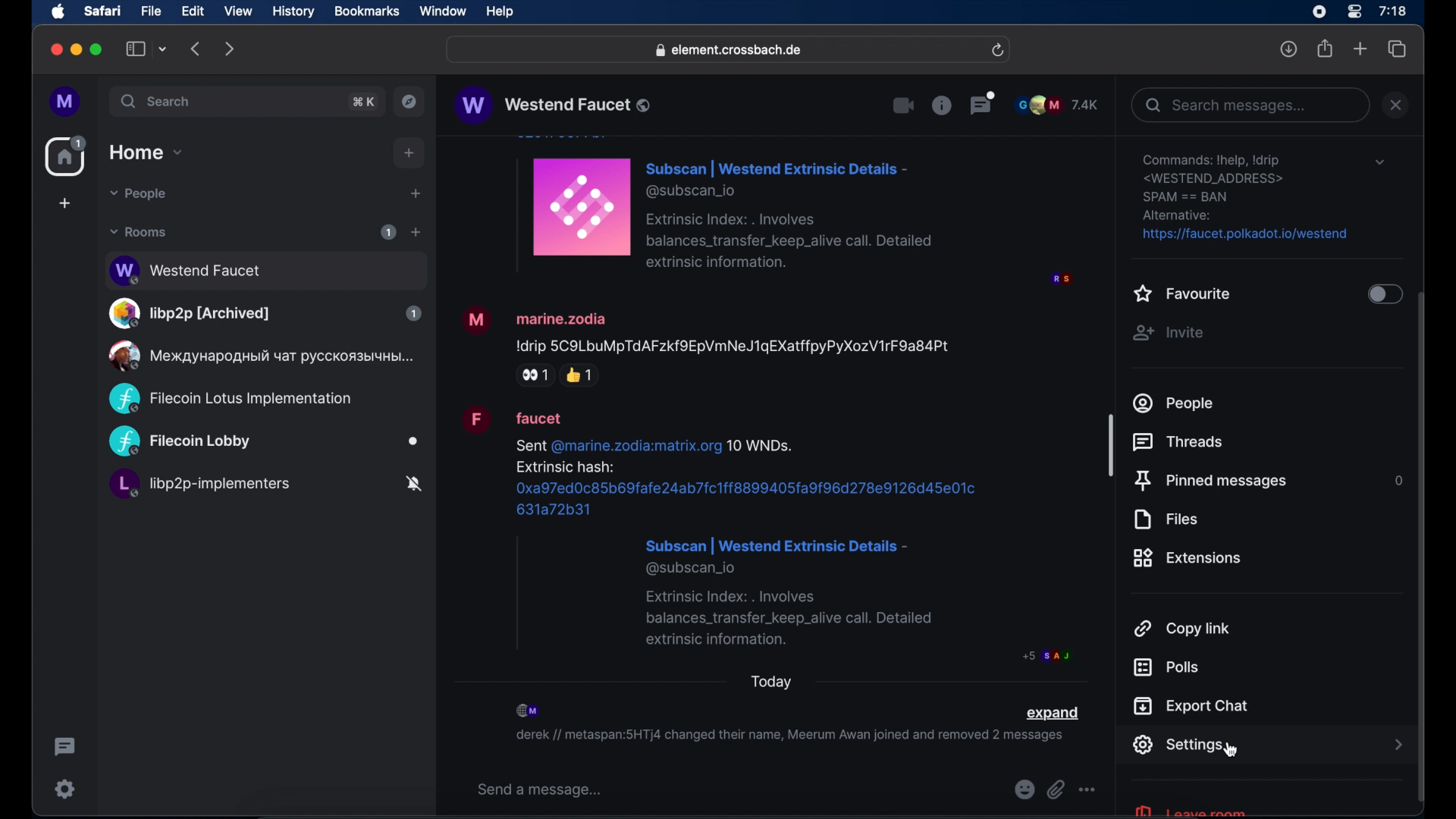 The image size is (1456, 819). Describe the element at coordinates (1210, 482) in the screenshot. I see `pinned messages` at that location.